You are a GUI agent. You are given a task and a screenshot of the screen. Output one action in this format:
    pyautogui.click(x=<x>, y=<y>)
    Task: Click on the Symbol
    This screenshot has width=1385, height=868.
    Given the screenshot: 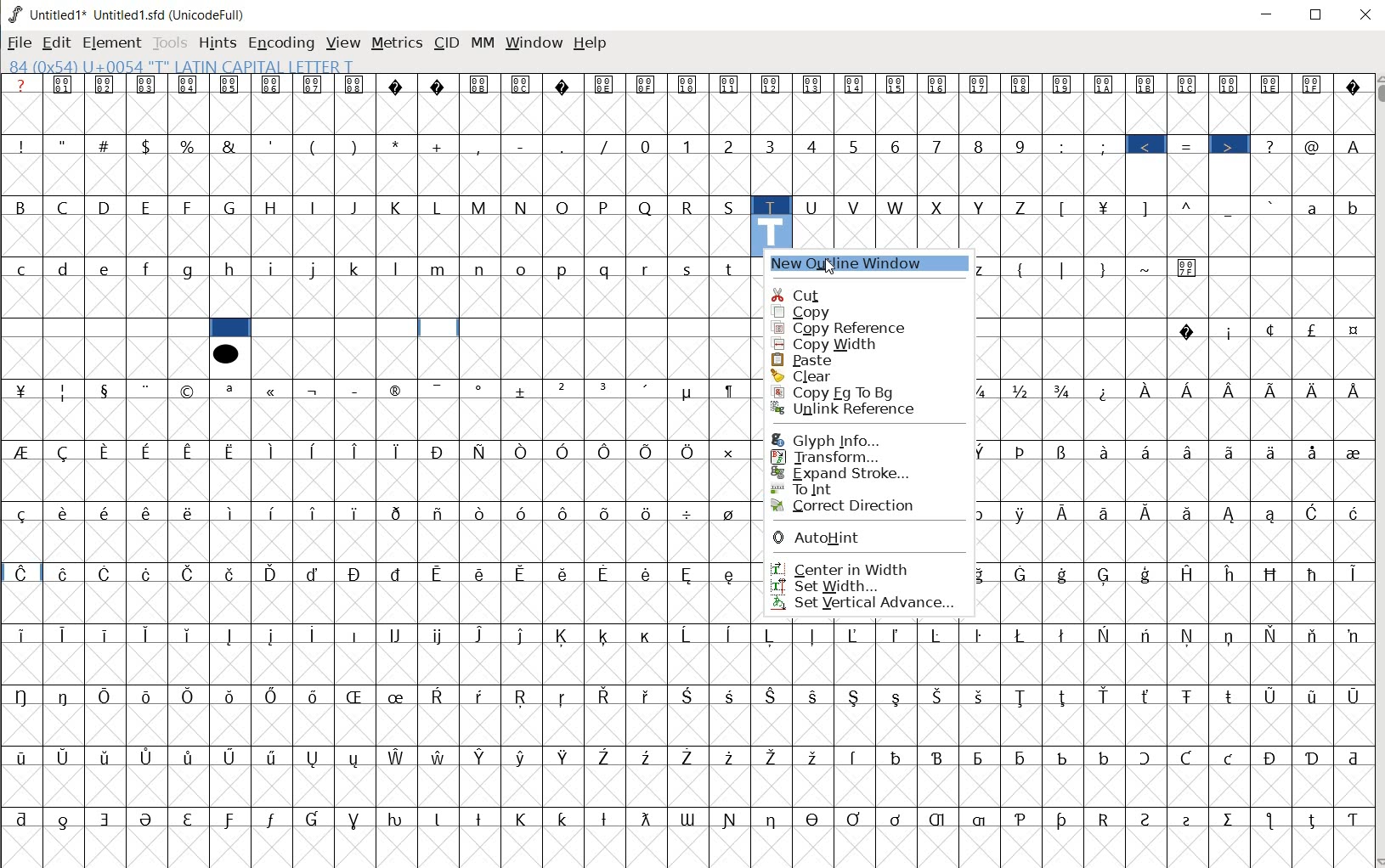 What is the action you would take?
    pyautogui.click(x=524, y=392)
    